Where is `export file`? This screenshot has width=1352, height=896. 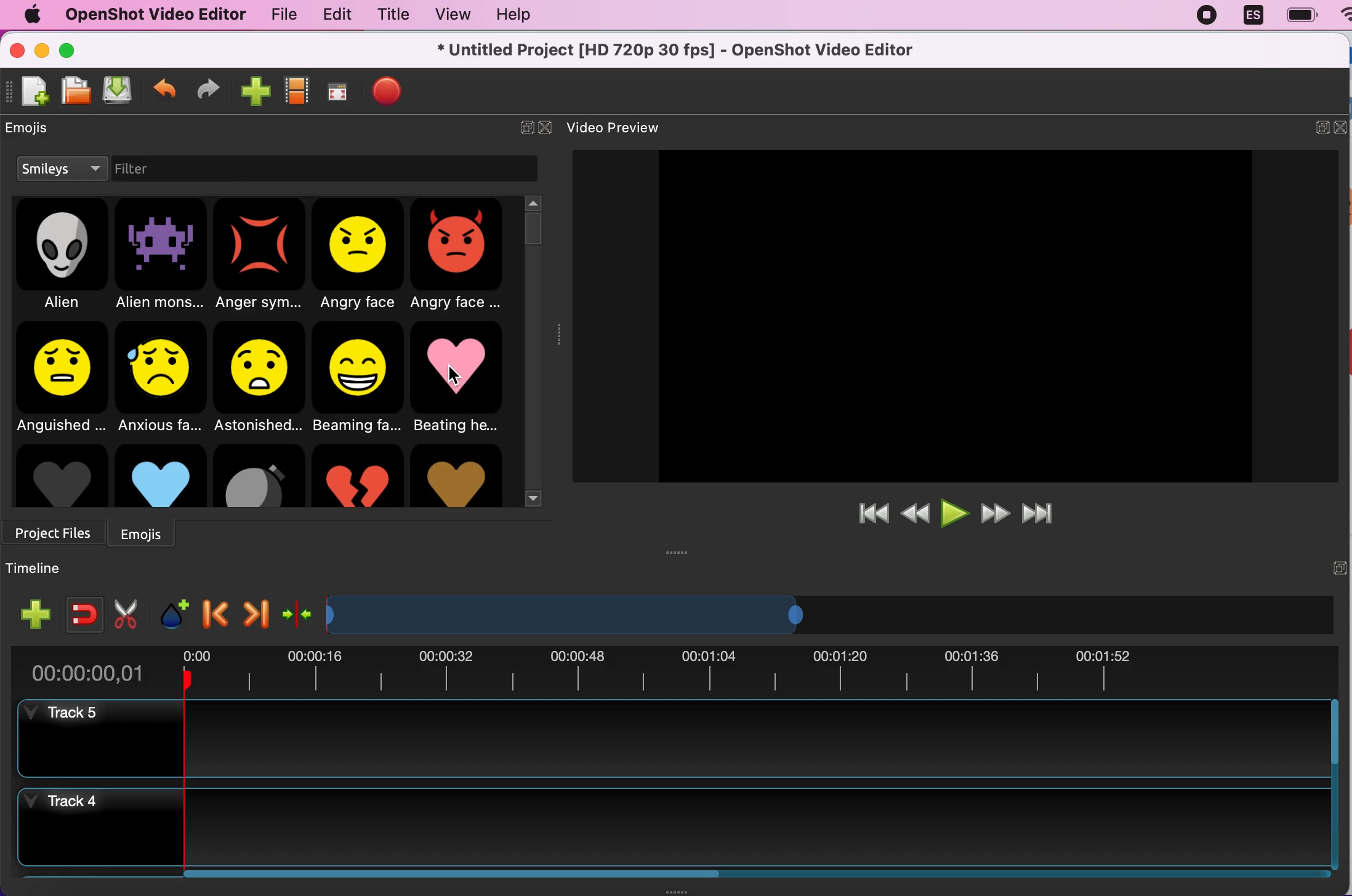 export file is located at coordinates (387, 92).